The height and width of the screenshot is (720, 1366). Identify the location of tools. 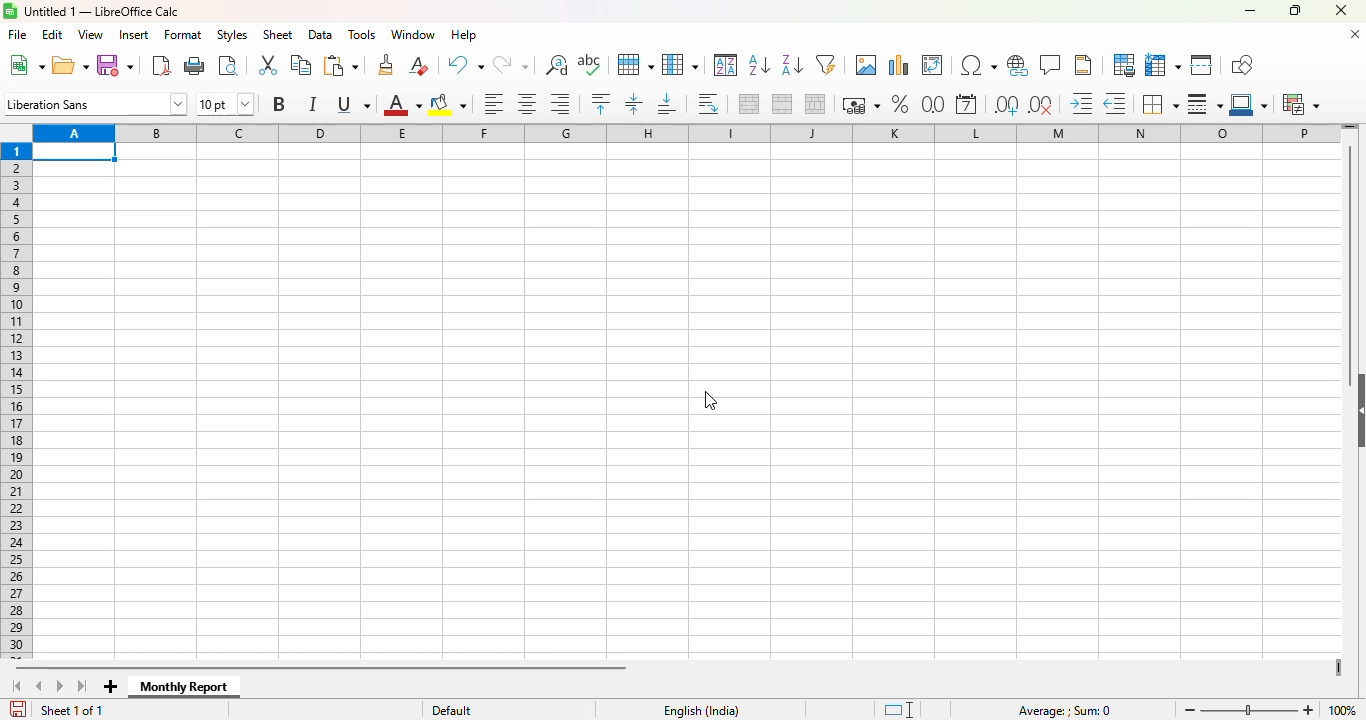
(362, 34).